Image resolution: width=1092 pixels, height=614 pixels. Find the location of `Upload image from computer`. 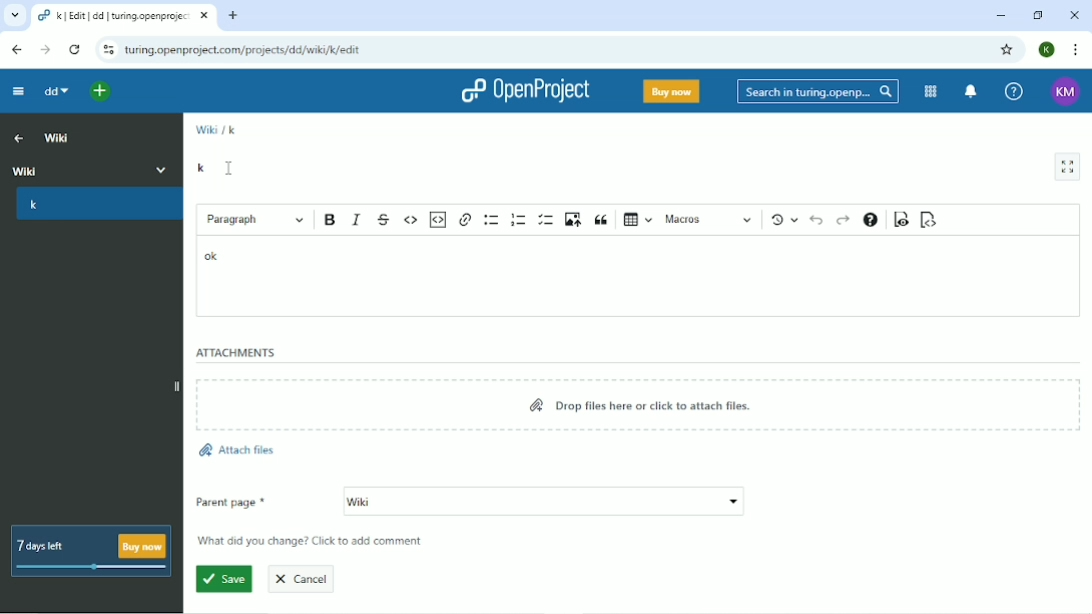

Upload image from computer is located at coordinates (572, 220).